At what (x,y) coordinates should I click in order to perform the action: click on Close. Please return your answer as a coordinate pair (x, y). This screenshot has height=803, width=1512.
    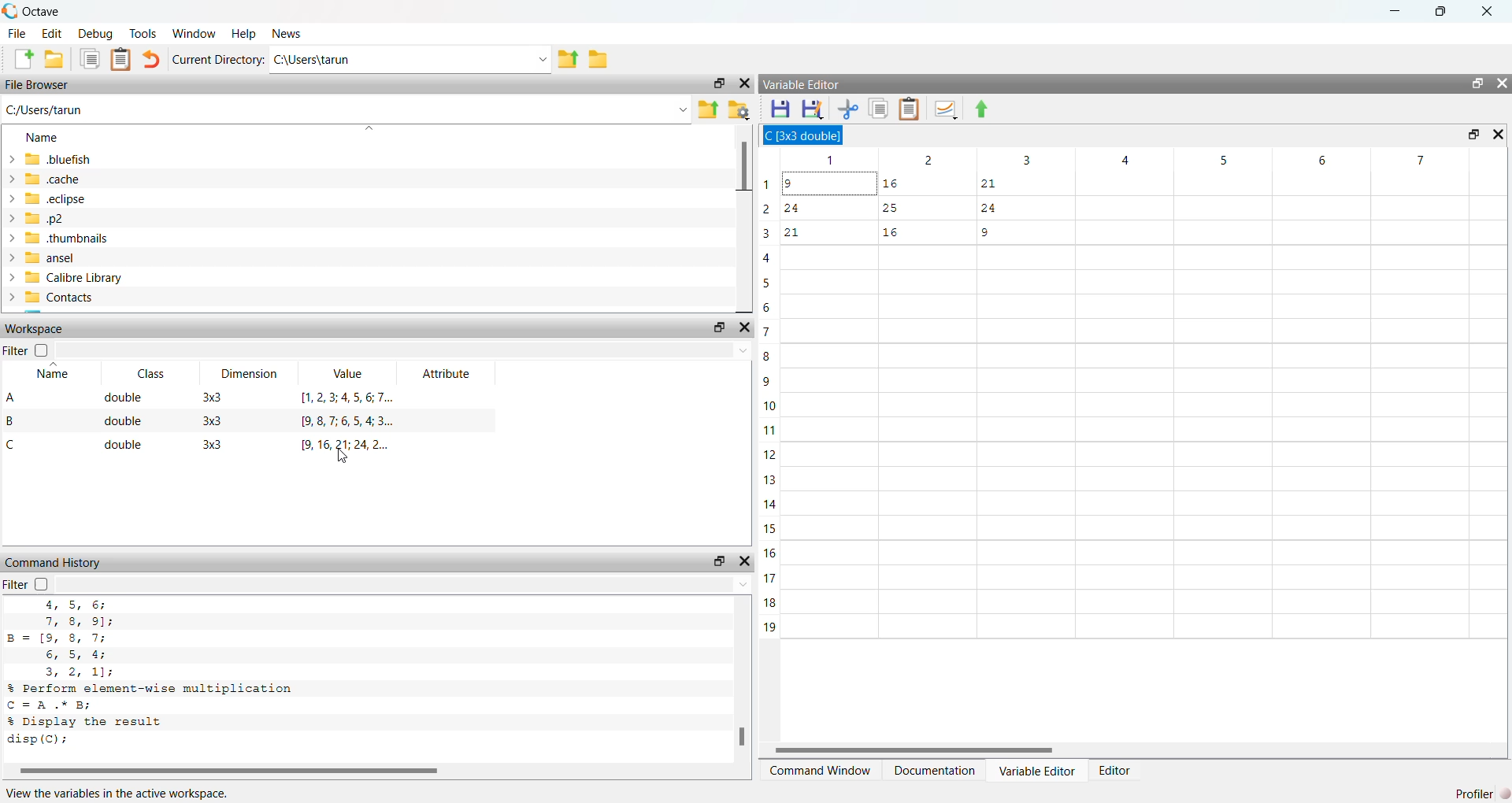
    Looking at the image, I should click on (1489, 12).